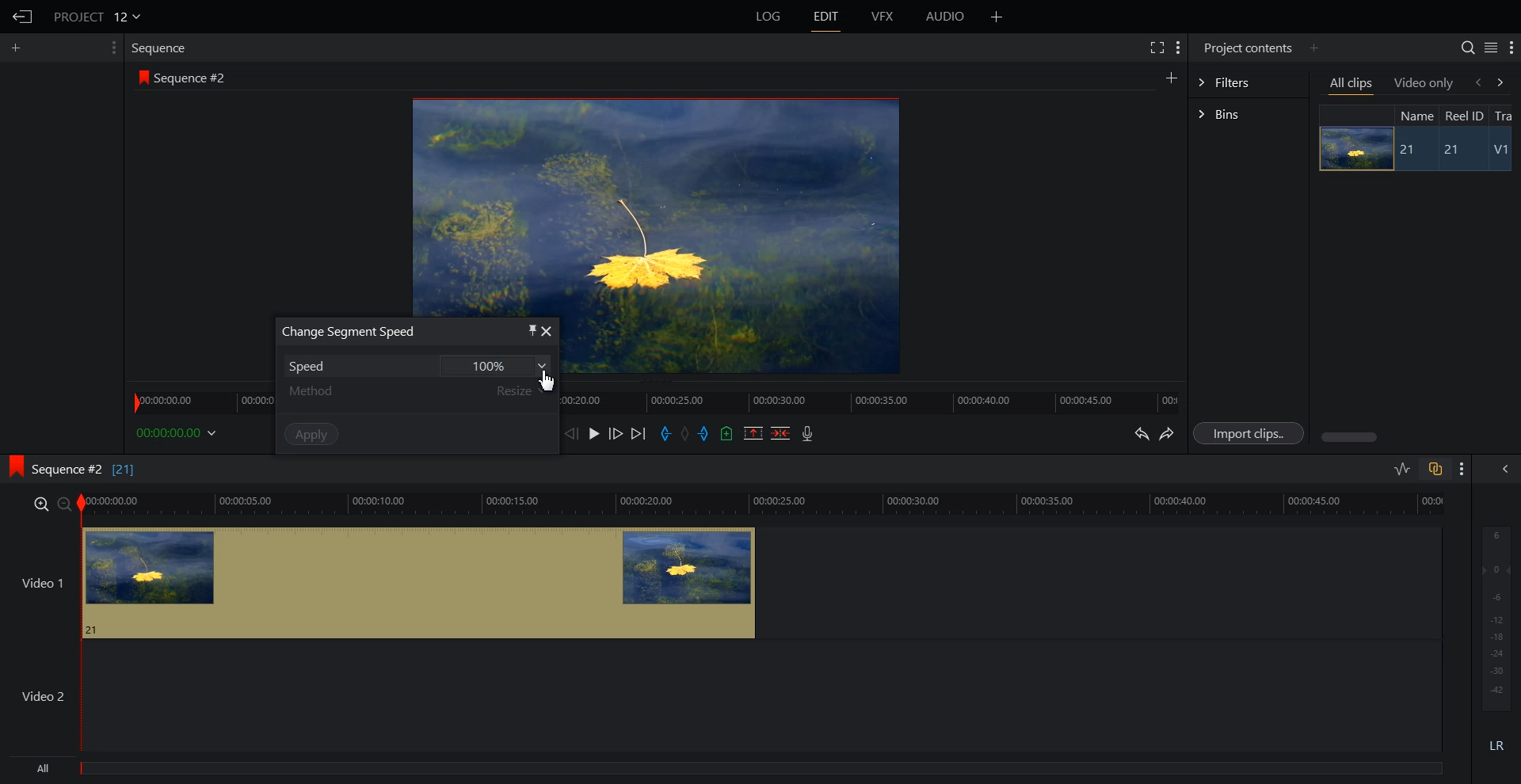 This screenshot has height=784, width=1521. What do you see at coordinates (753, 433) in the screenshot?
I see `Remove Mark Section` at bounding box center [753, 433].